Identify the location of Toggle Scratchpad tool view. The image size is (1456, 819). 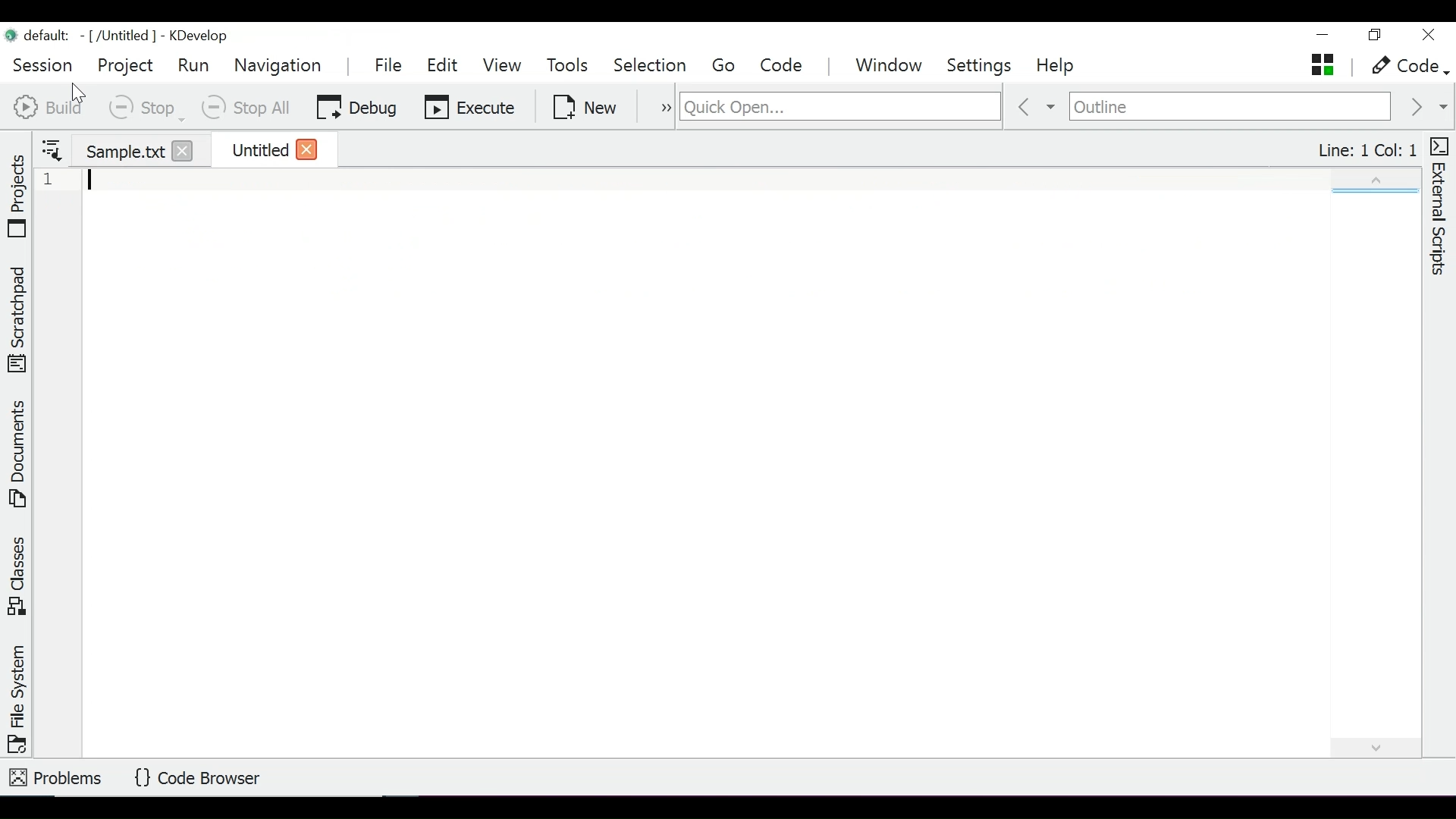
(16, 316).